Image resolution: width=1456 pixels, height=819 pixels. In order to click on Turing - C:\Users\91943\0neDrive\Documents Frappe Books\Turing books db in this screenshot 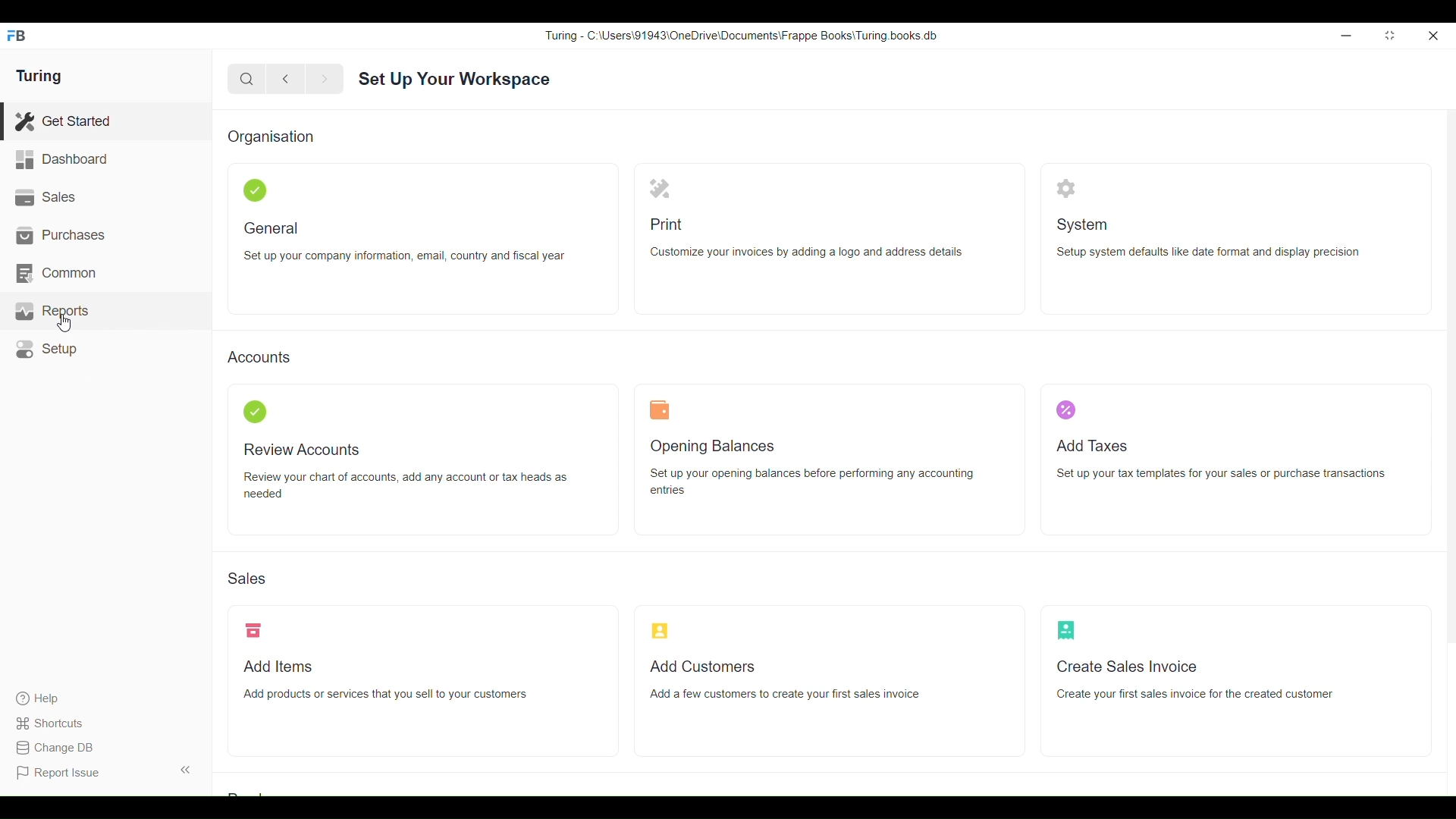, I will do `click(742, 35)`.